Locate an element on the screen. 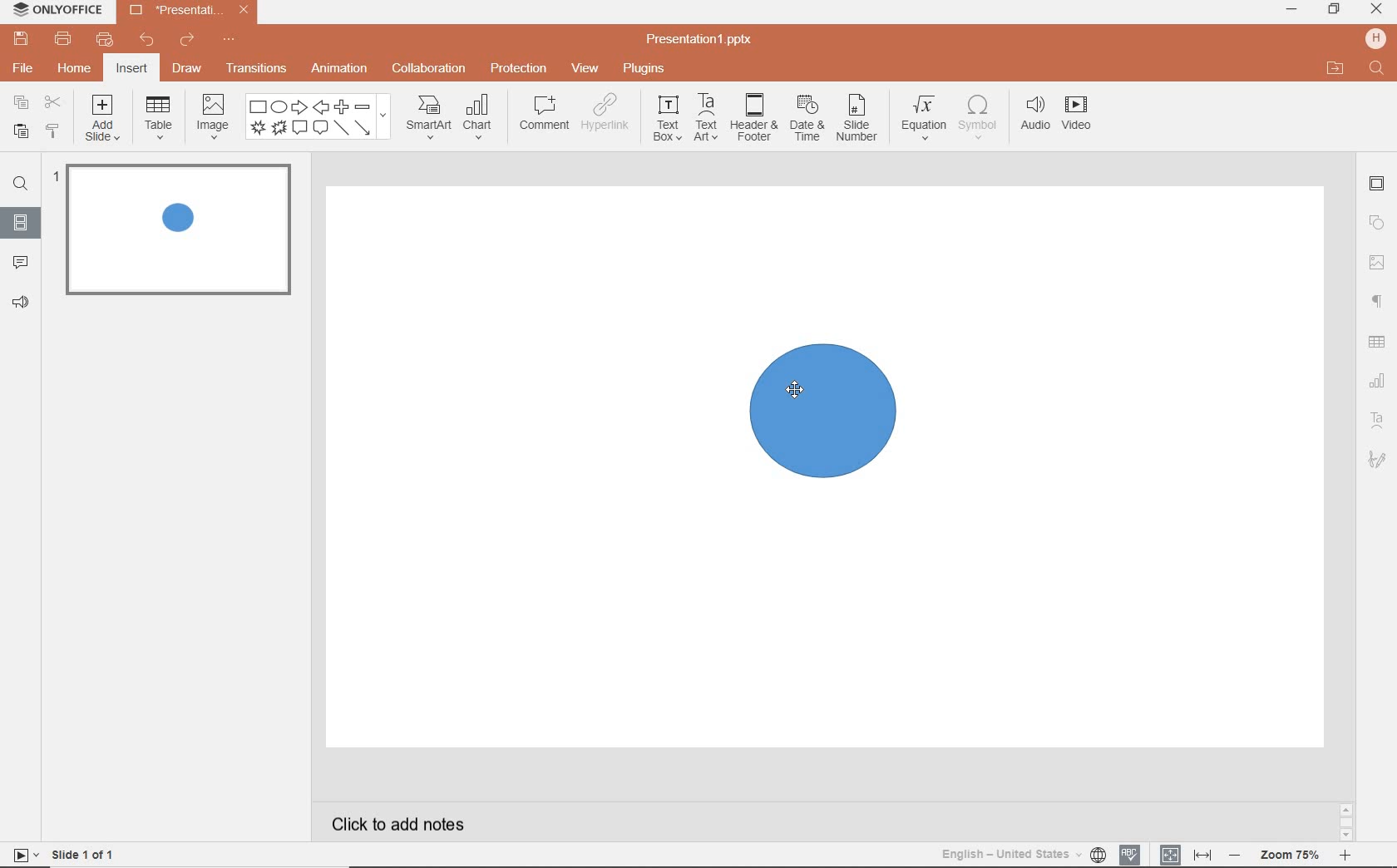  fit to slide is located at coordinates (1171, 854).